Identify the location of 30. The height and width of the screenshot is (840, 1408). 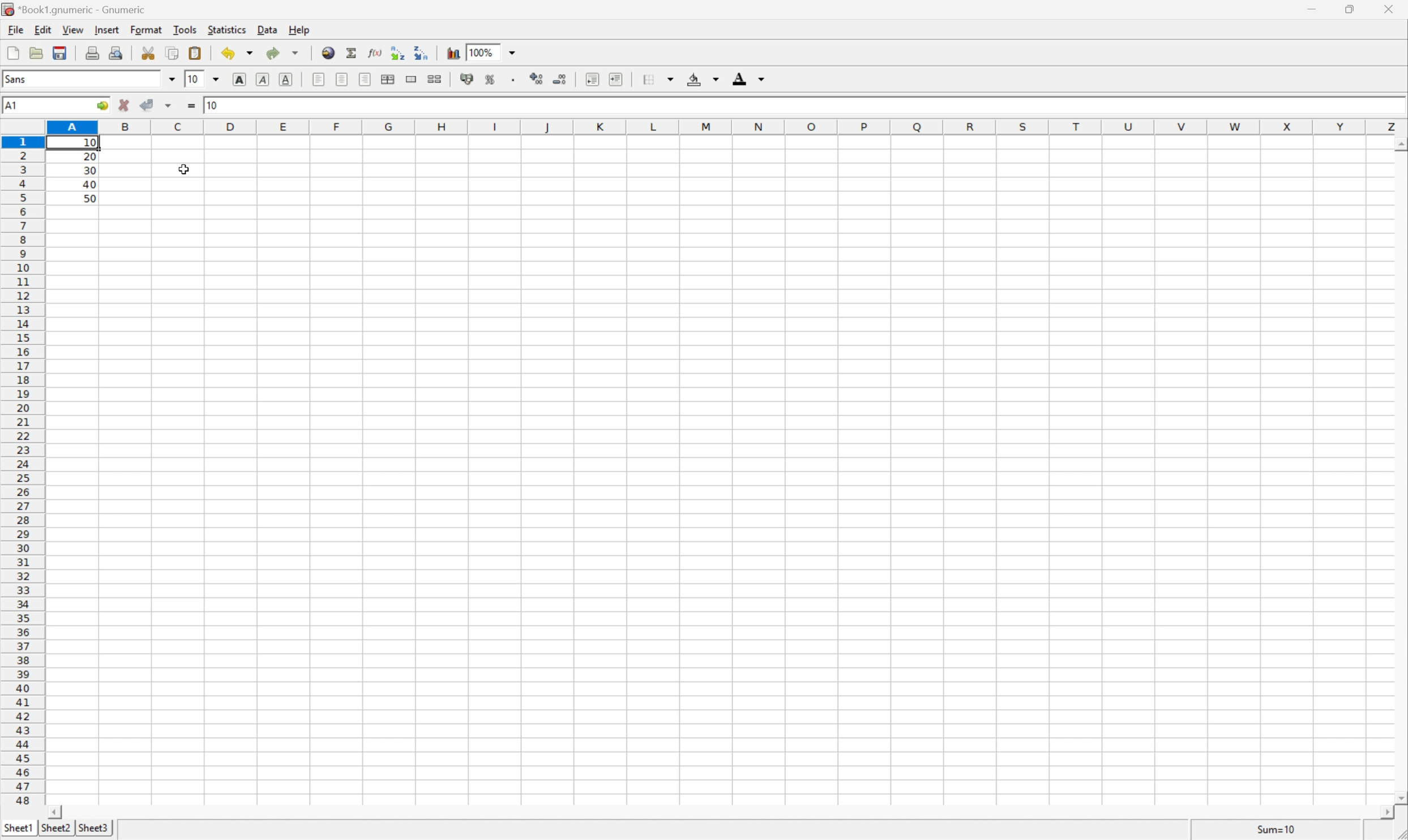
(90, 170).